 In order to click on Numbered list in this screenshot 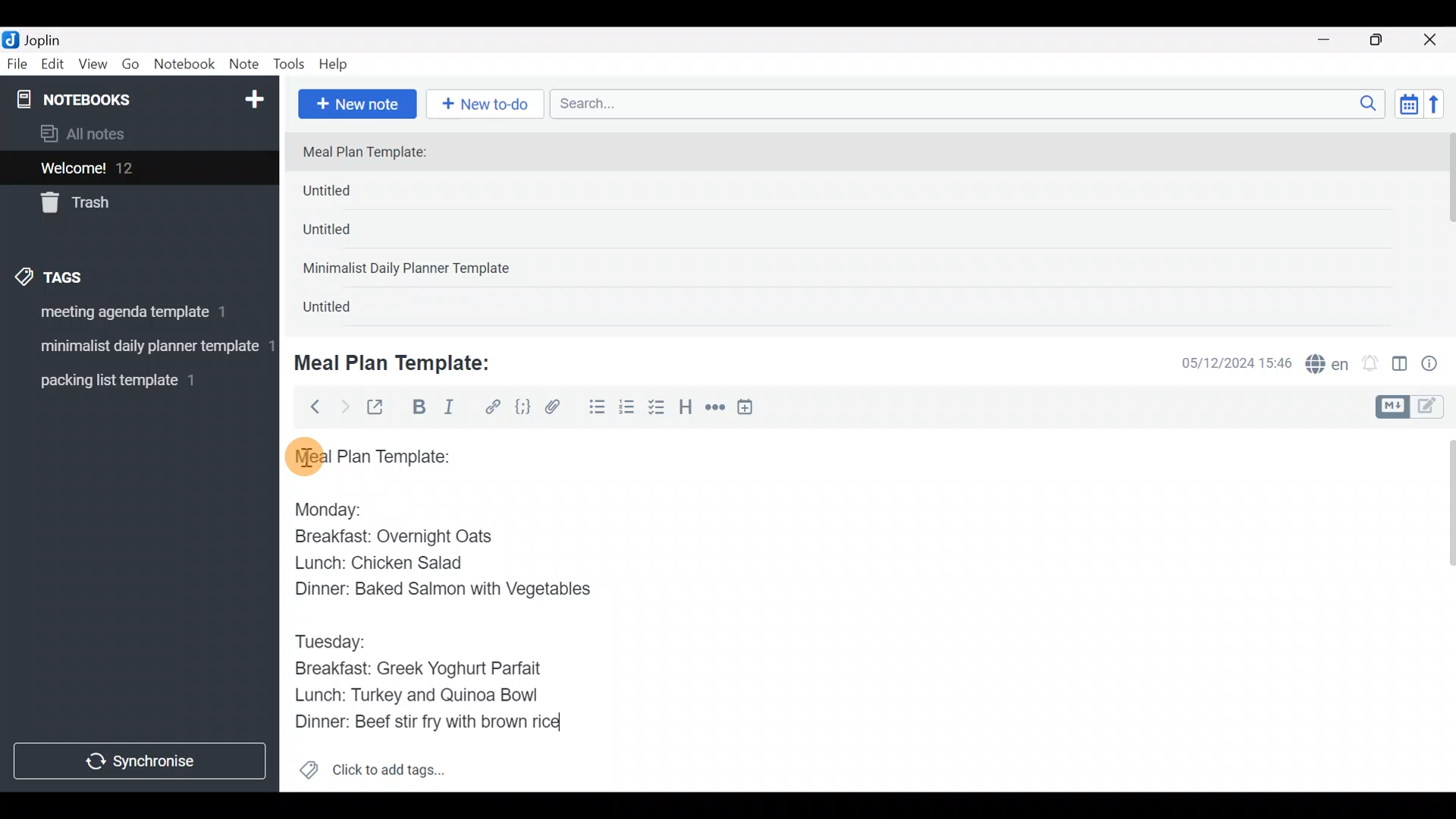, I will do `click(627, 410)`.